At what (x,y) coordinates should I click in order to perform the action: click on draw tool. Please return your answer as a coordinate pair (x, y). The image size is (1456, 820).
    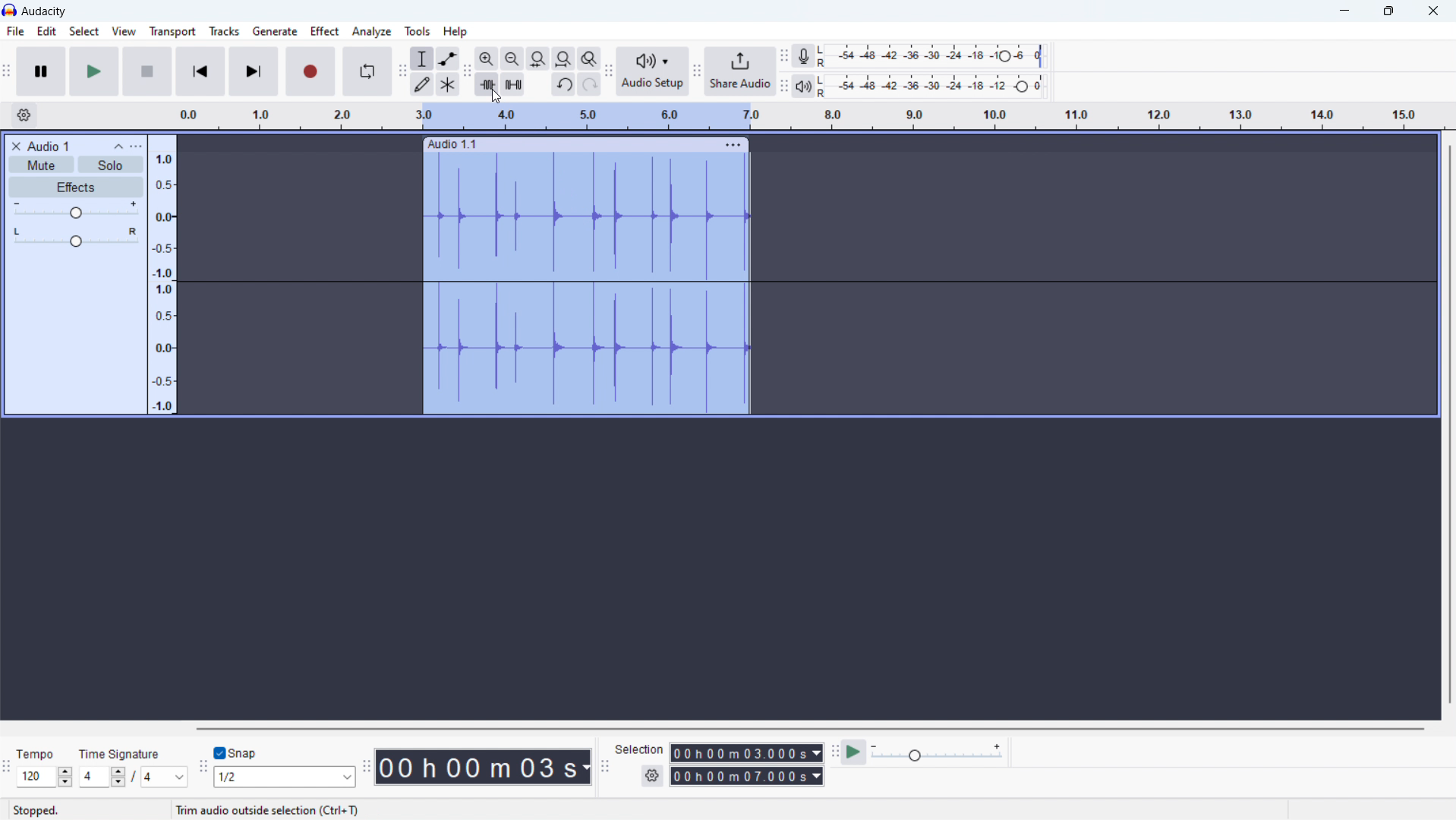
    Looking at the image, I should click on (421, 84).